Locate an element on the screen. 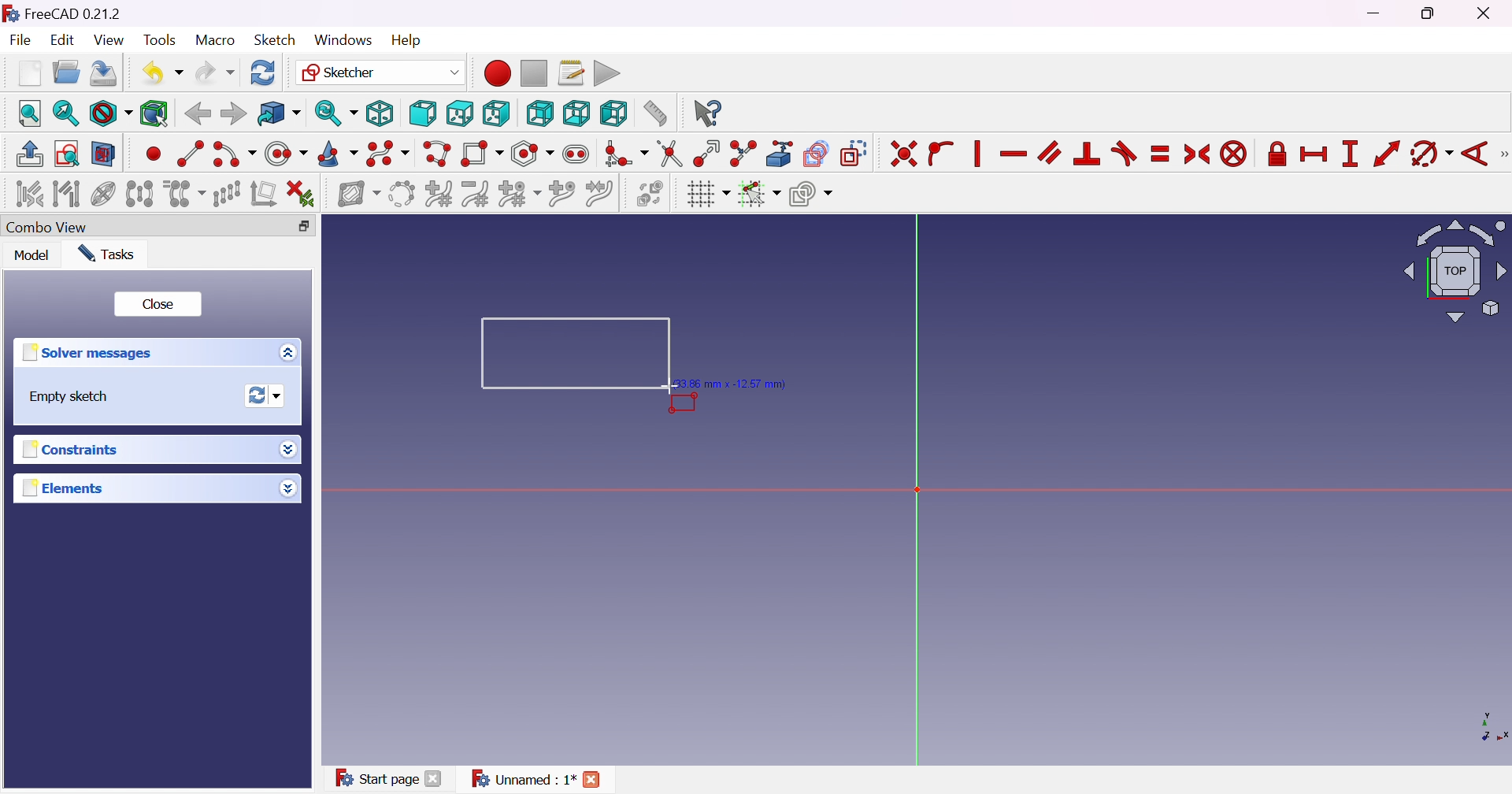  Constrain horizontal distance is located at coordinates (1313, 156).